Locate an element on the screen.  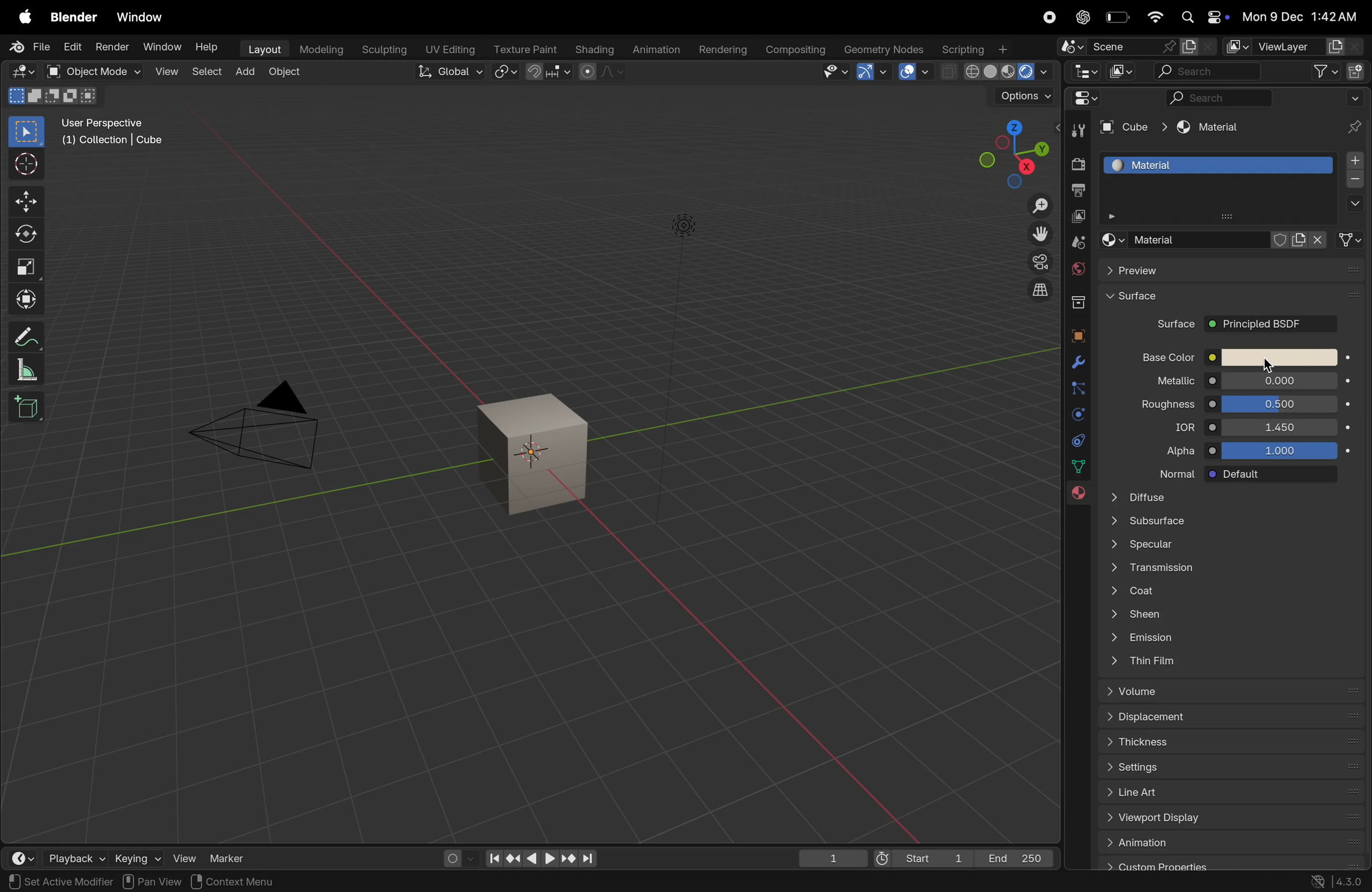
unlink data is located at coordinates (1322, 240).